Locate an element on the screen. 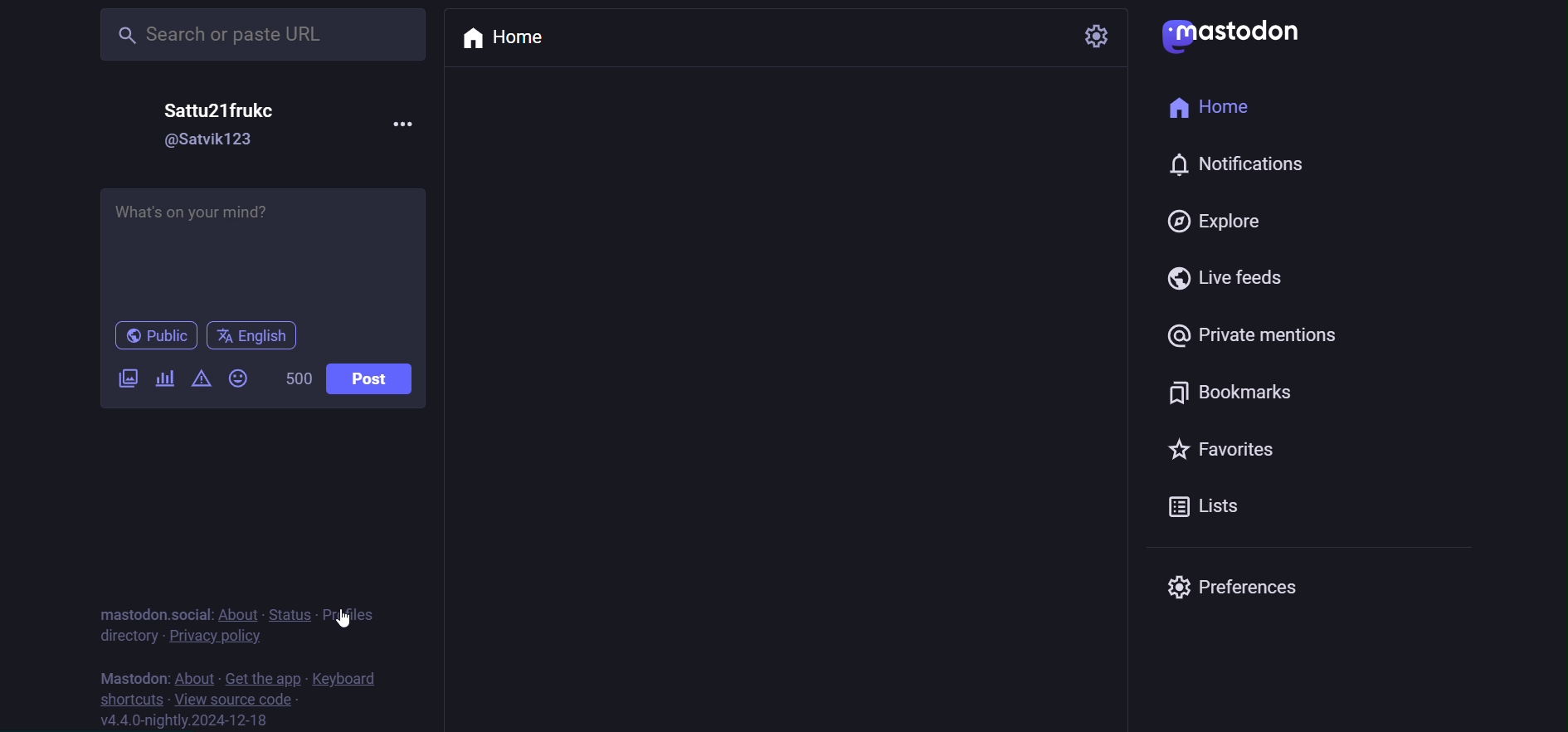 This screenshot has width=1568, height=732. emoji is located at coordinates (238, 376).